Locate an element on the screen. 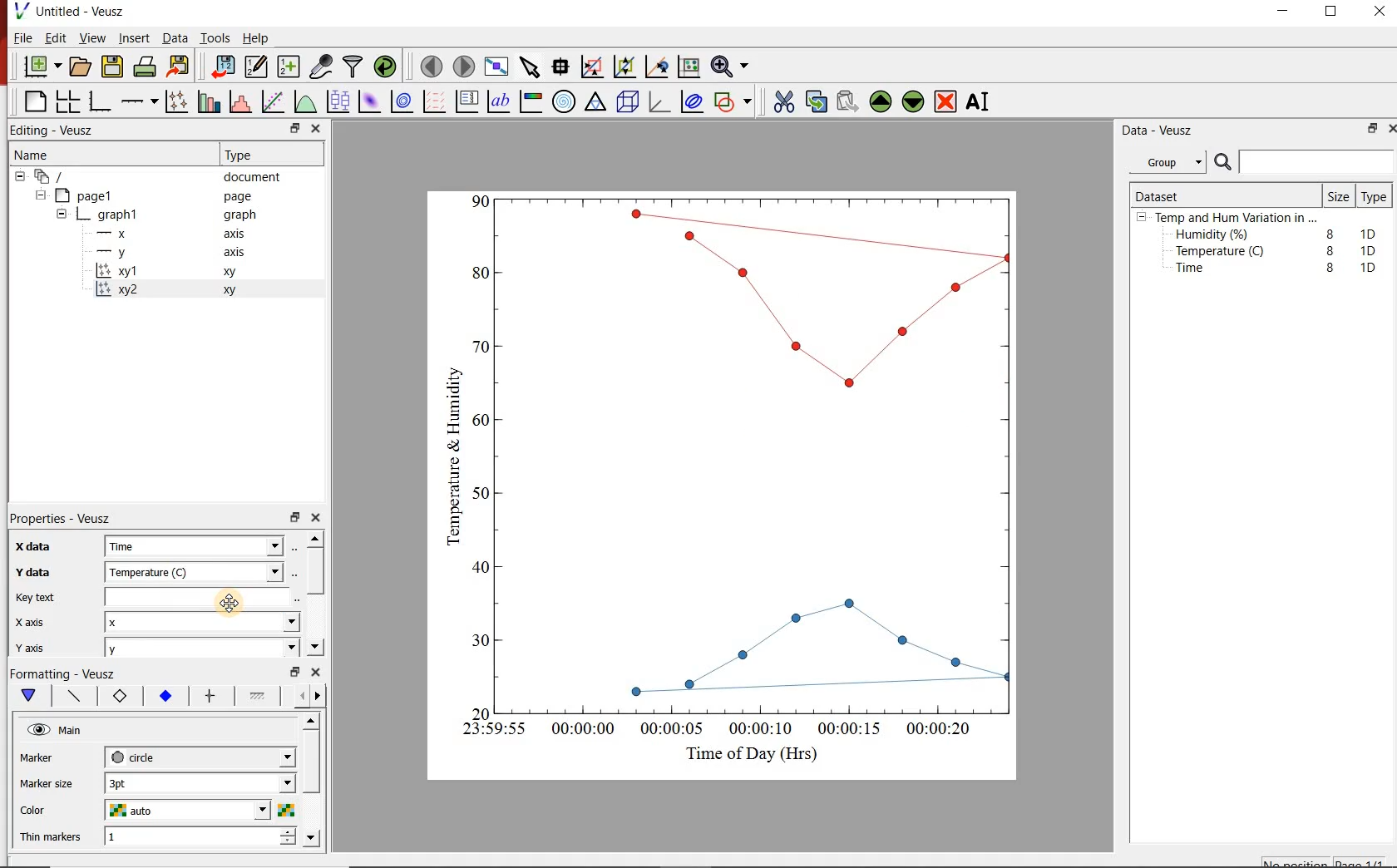  Properties - Veusz is located at coordinates (69, 515).